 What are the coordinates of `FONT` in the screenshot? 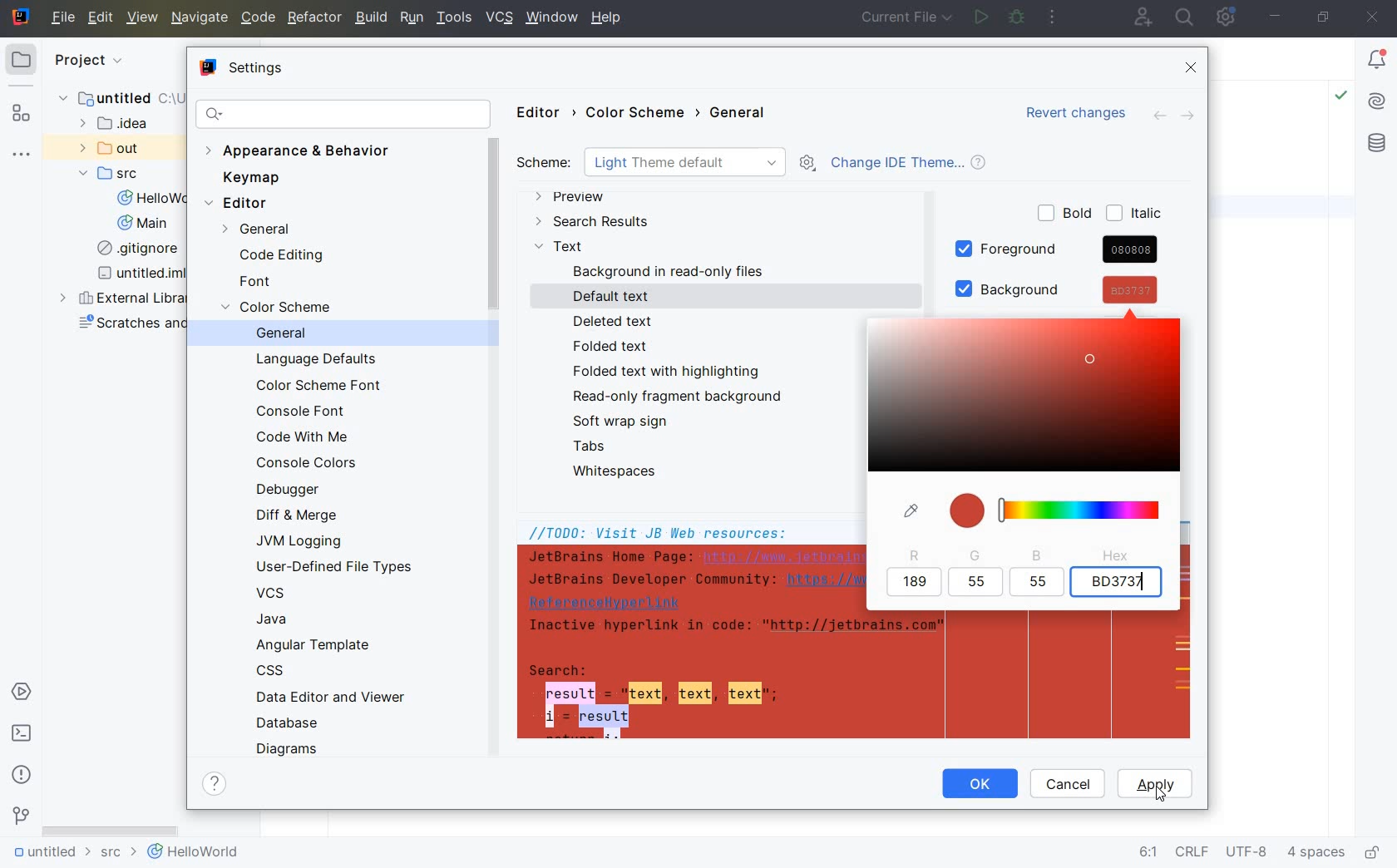 It's located at (260, 283).